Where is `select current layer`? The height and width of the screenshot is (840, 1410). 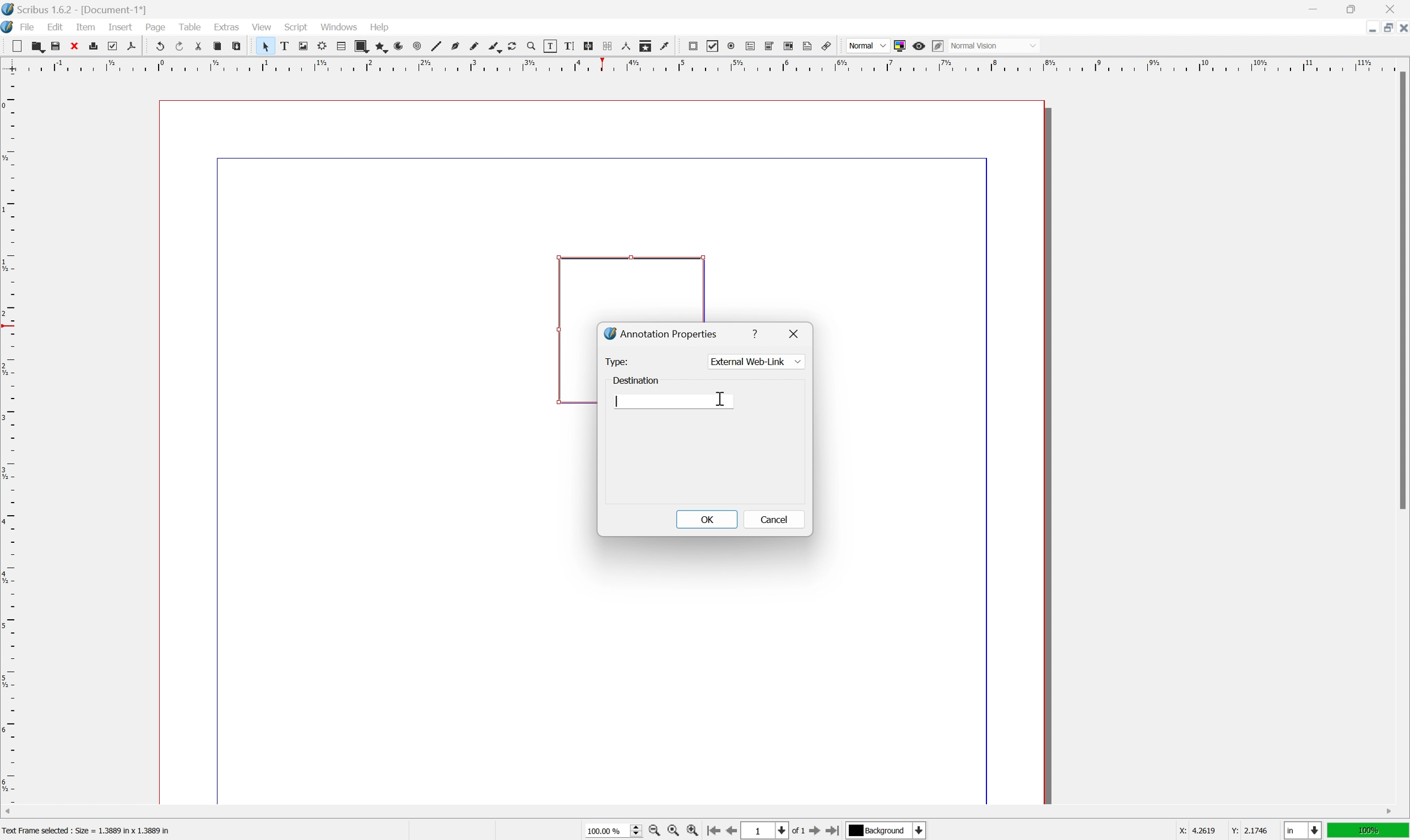
select current layer is located at coordinates (888, 831).